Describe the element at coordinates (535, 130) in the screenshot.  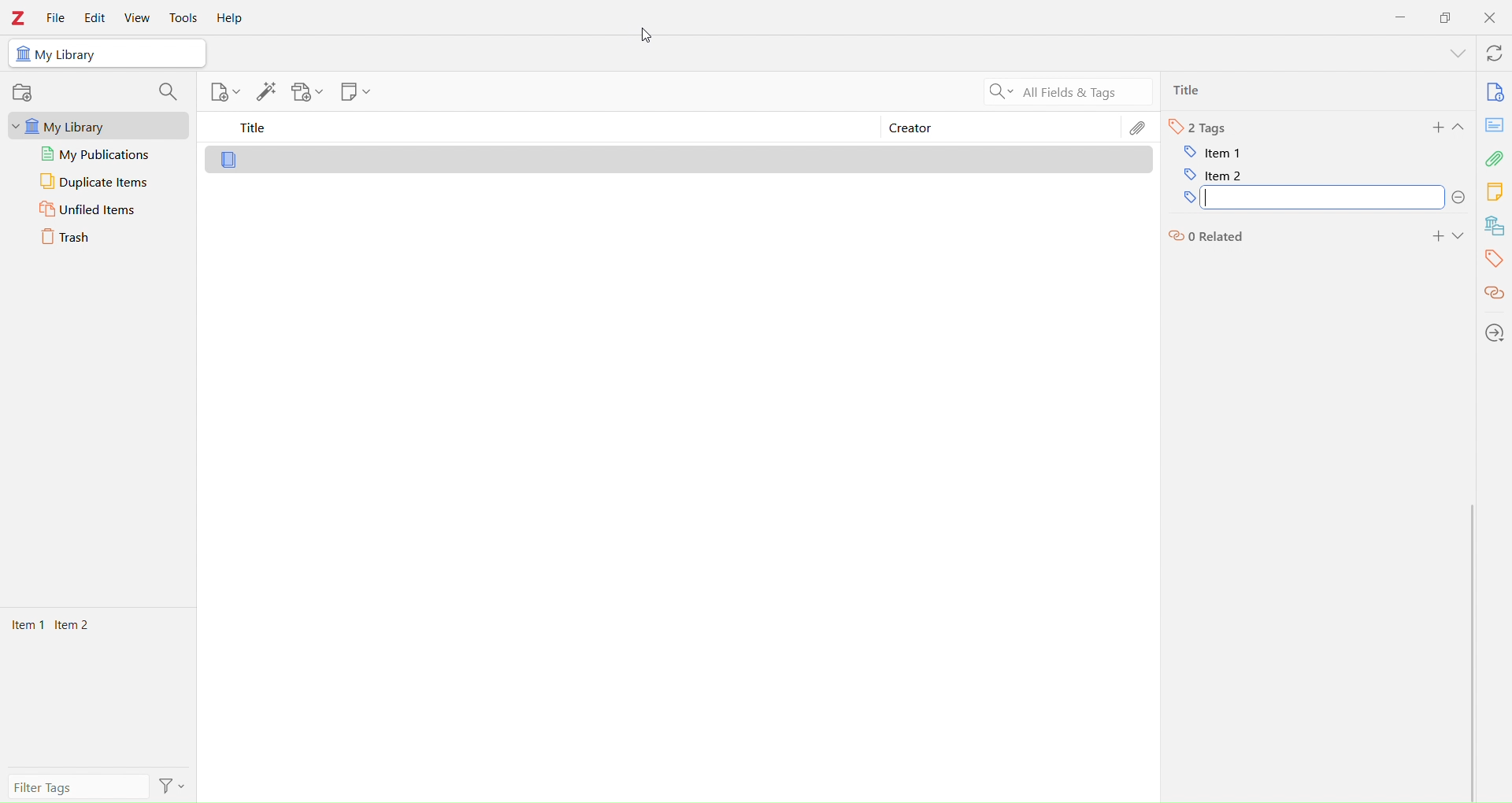
I see `Title` at that location.